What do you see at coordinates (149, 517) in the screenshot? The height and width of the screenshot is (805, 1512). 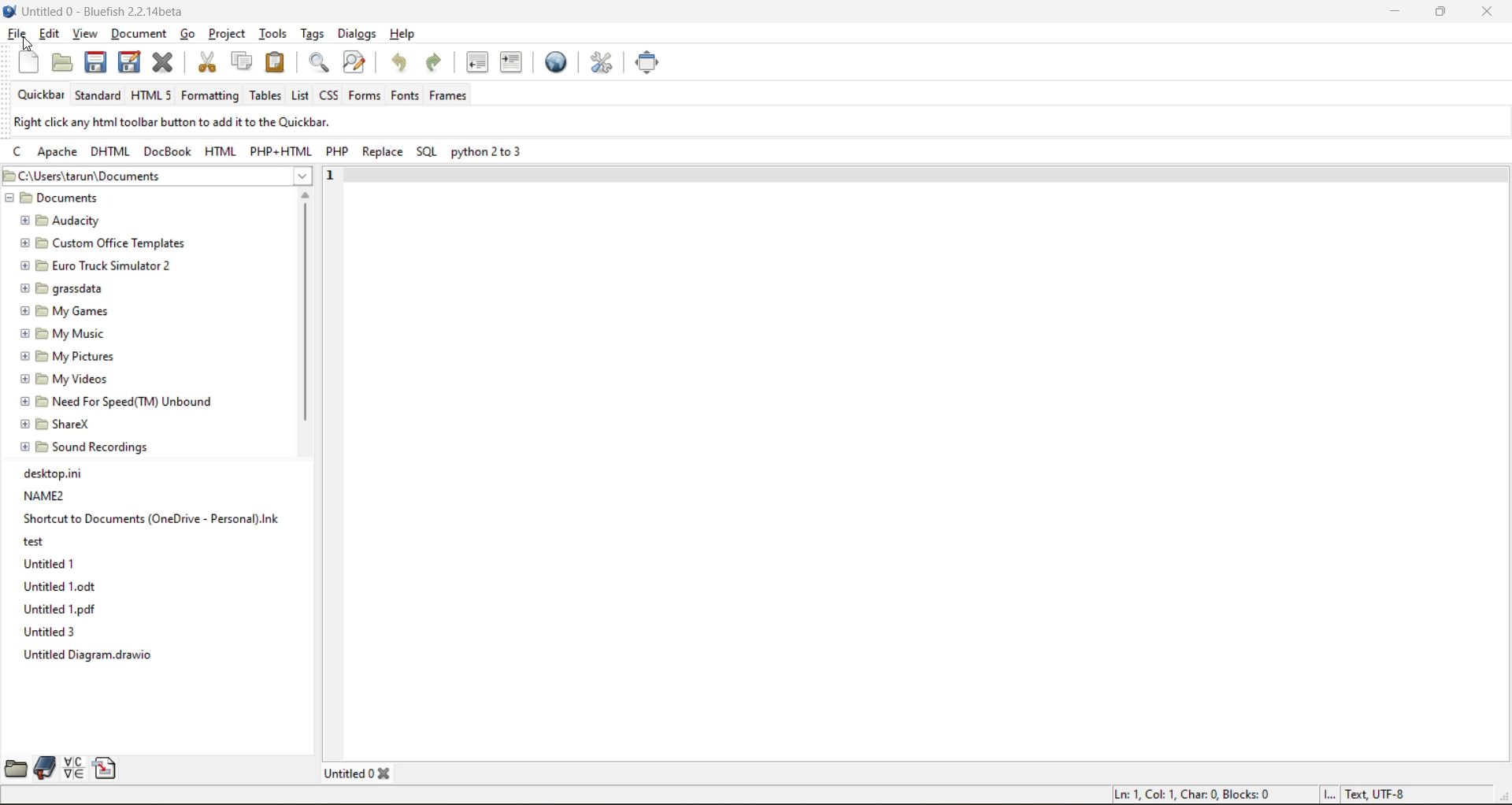 I see `Shortcut to Documents (OneDrive-Personal).Ink` at bounding box center [149, 517].